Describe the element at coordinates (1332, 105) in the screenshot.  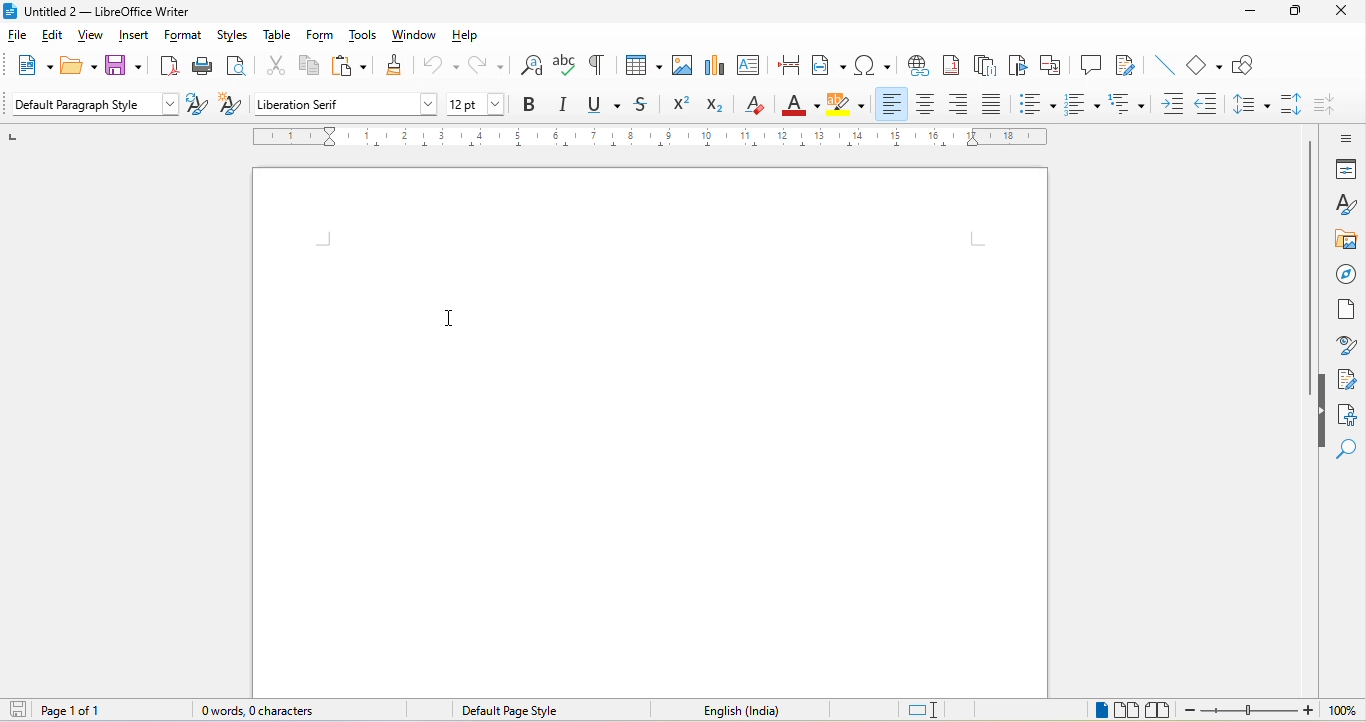
I see `decrease paragraph spacing` at that location.